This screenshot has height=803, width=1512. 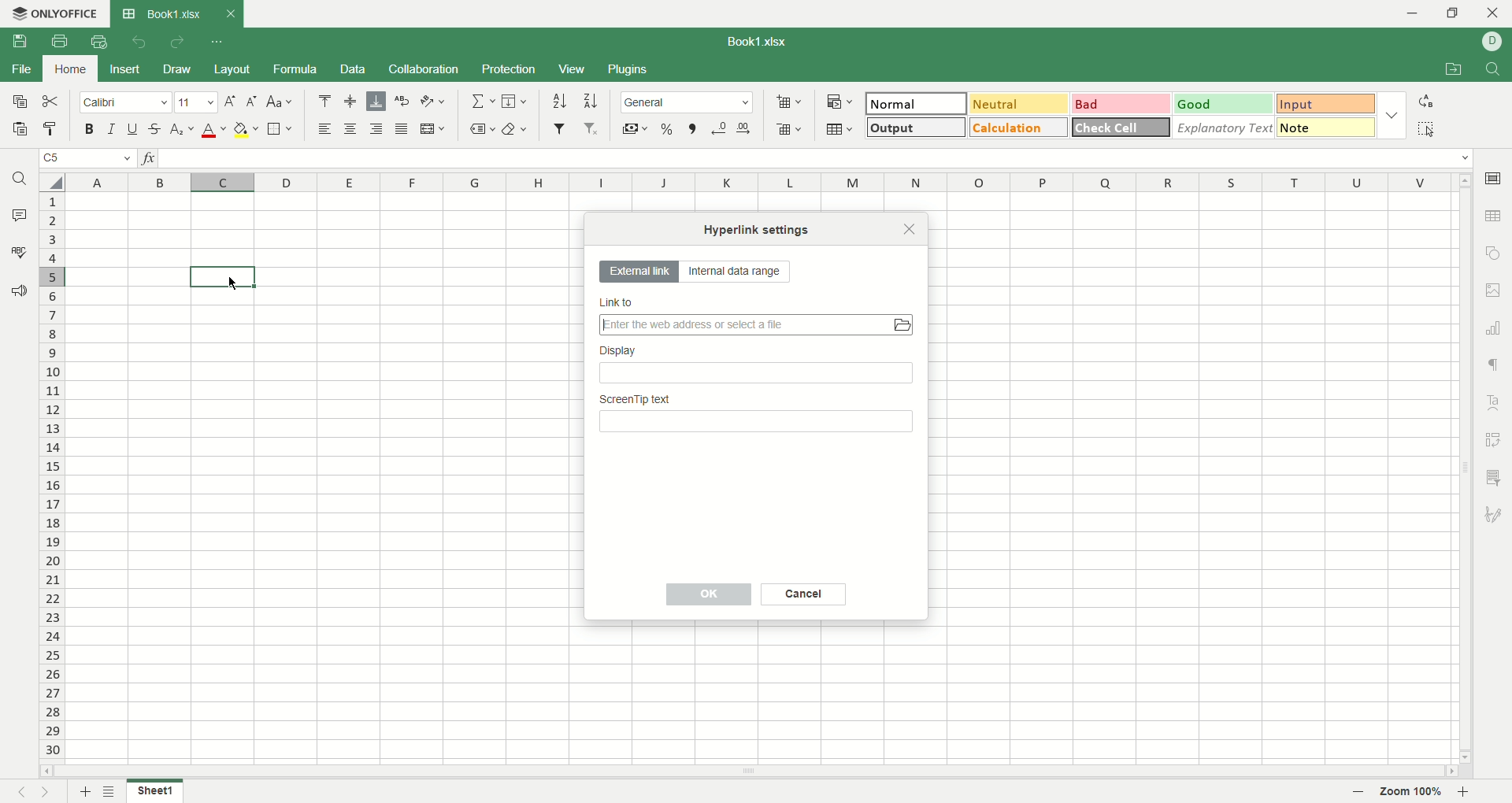 I want to click on rows, so click(x=49, y=479).